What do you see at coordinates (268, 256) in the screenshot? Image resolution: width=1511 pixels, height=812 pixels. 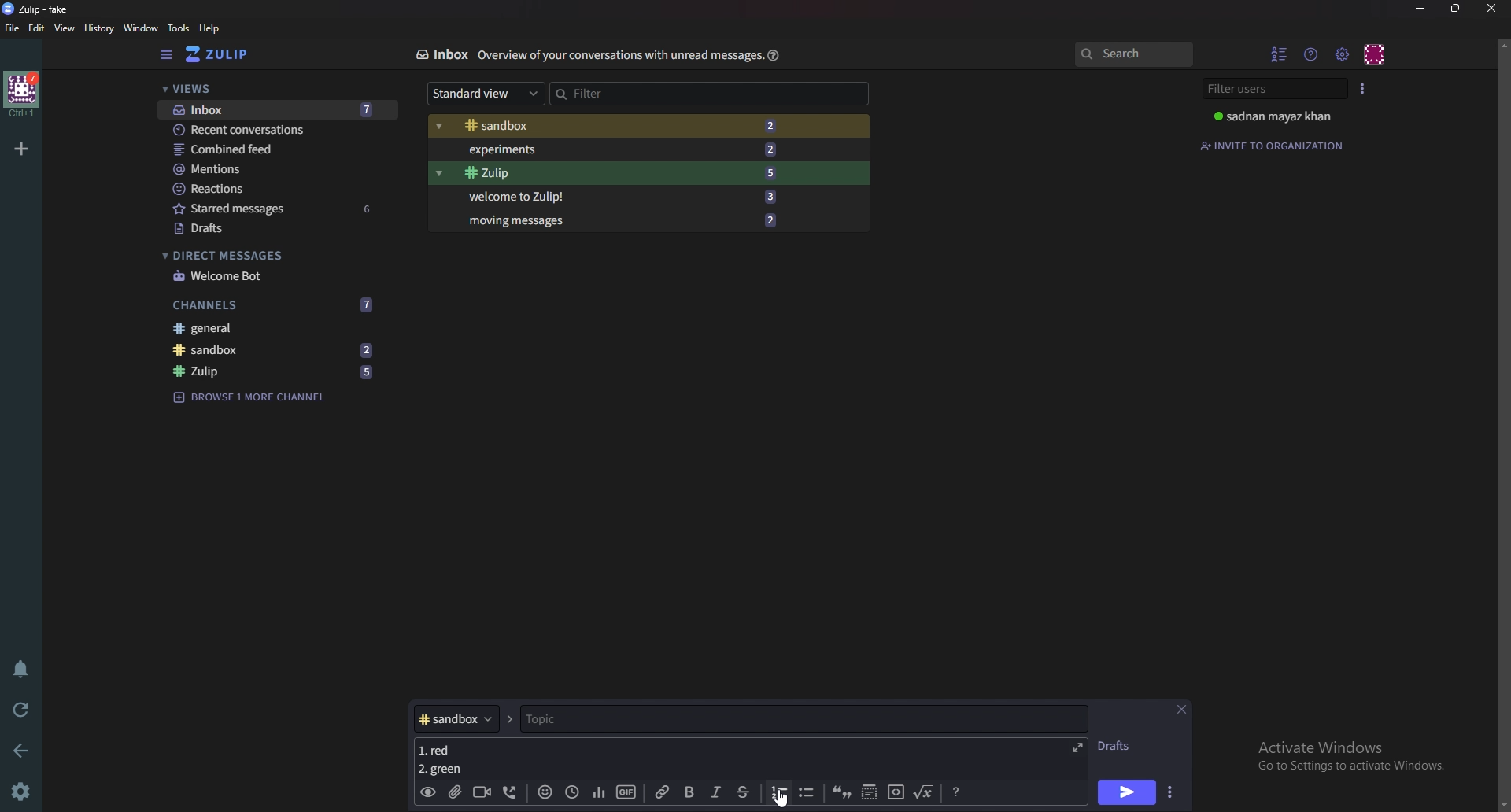 I see `Direct messages` at bounding box center [268, 256].